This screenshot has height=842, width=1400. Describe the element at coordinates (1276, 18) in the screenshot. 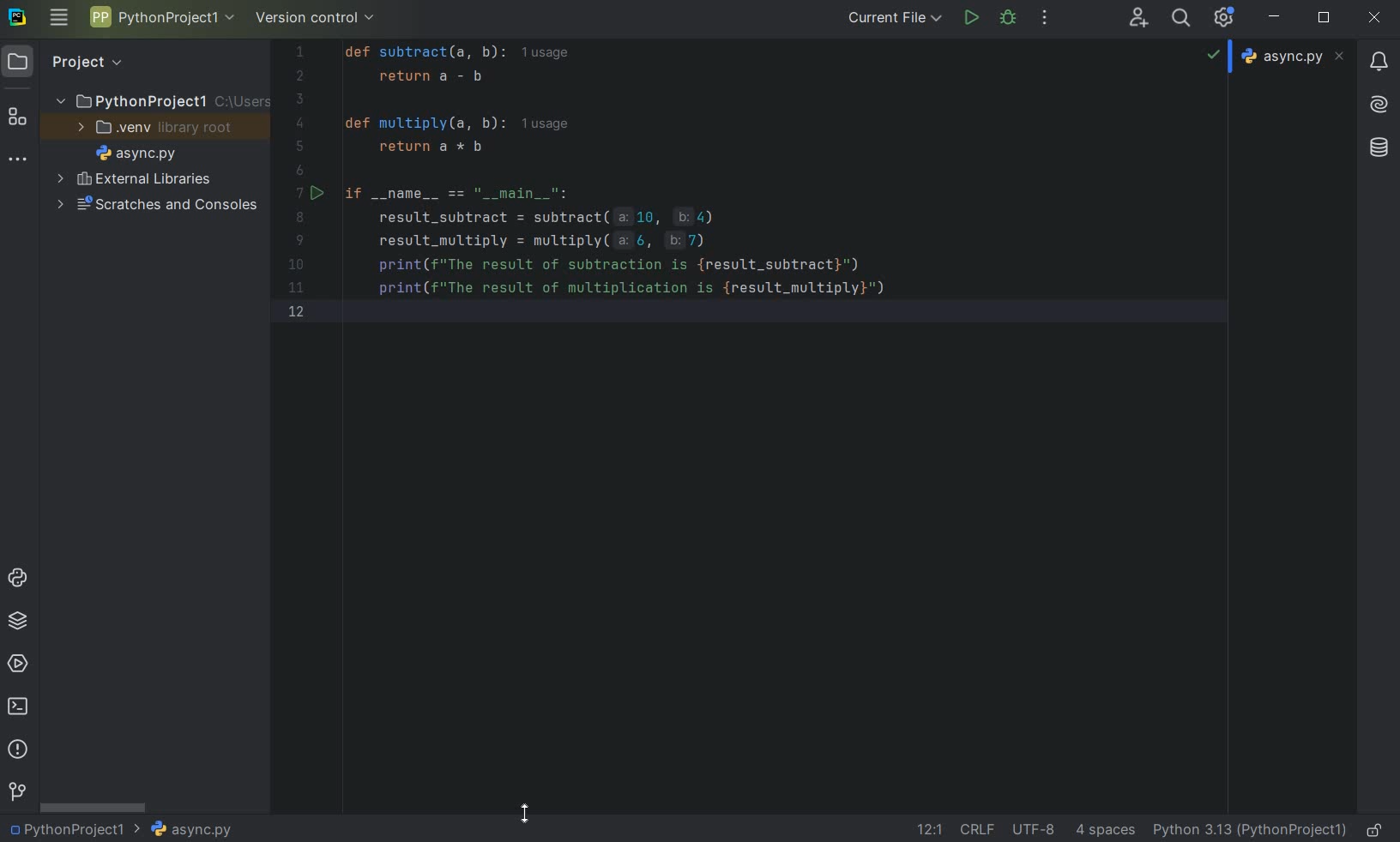

I see `minimize` at that location.